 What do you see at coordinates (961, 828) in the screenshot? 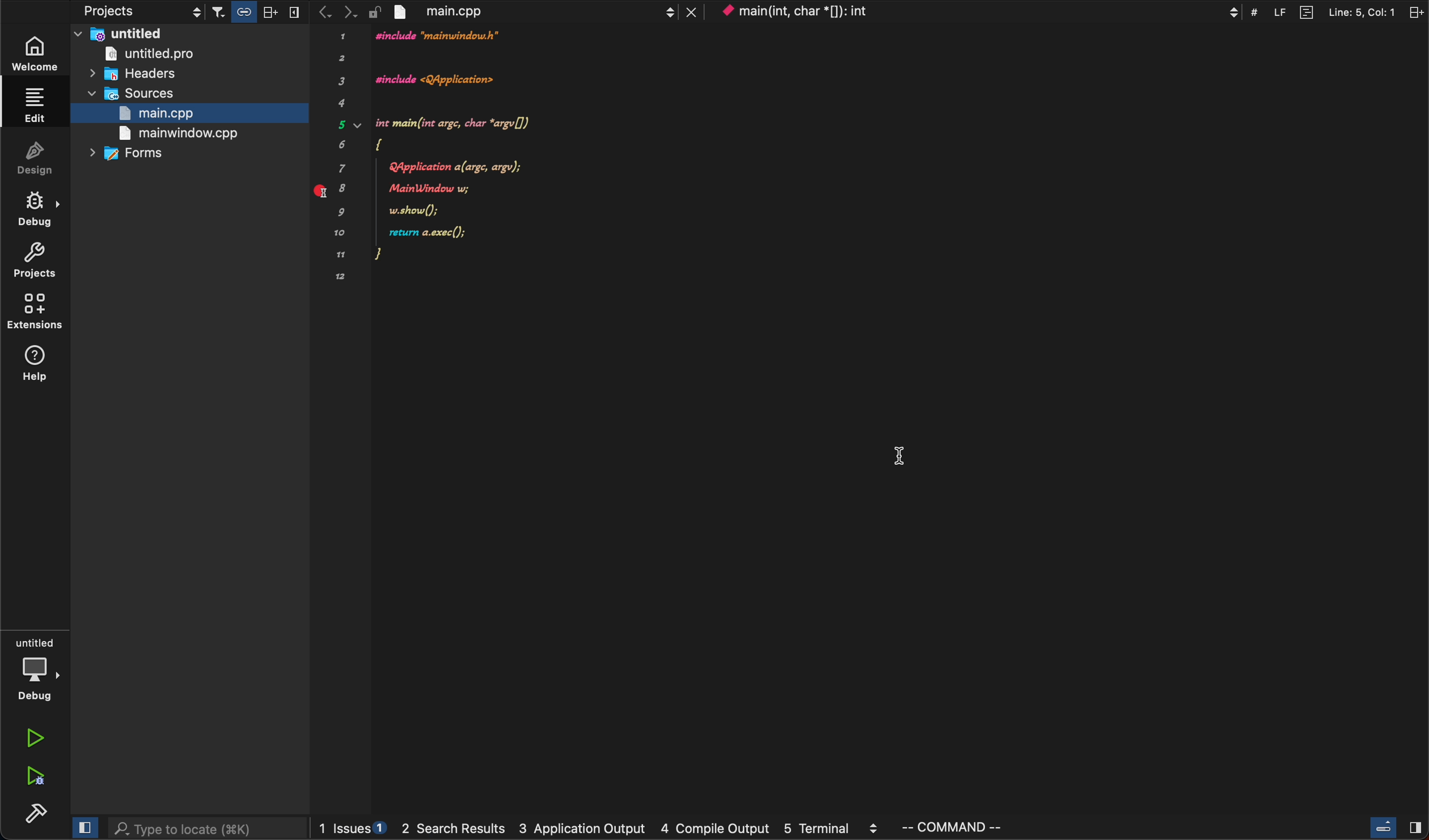
I see `command` at bounding box center [961, 828].